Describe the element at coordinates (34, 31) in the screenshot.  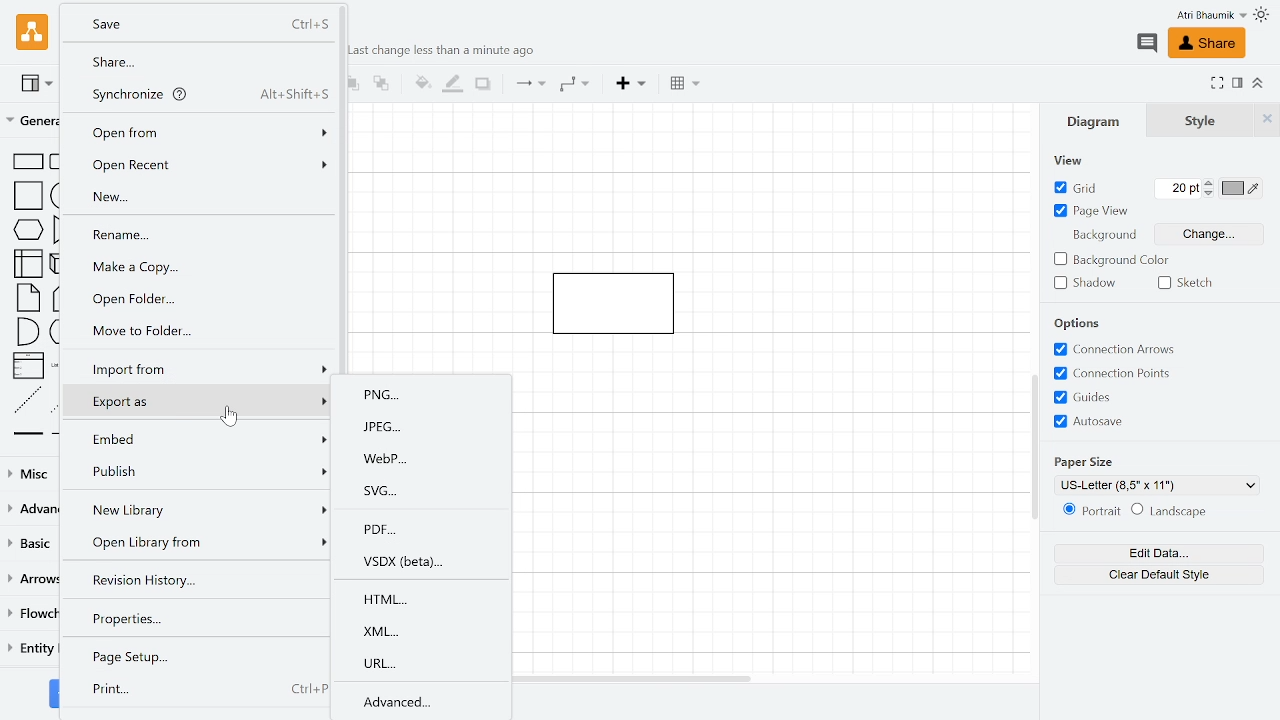
I see `Draw.io logo` at that location.